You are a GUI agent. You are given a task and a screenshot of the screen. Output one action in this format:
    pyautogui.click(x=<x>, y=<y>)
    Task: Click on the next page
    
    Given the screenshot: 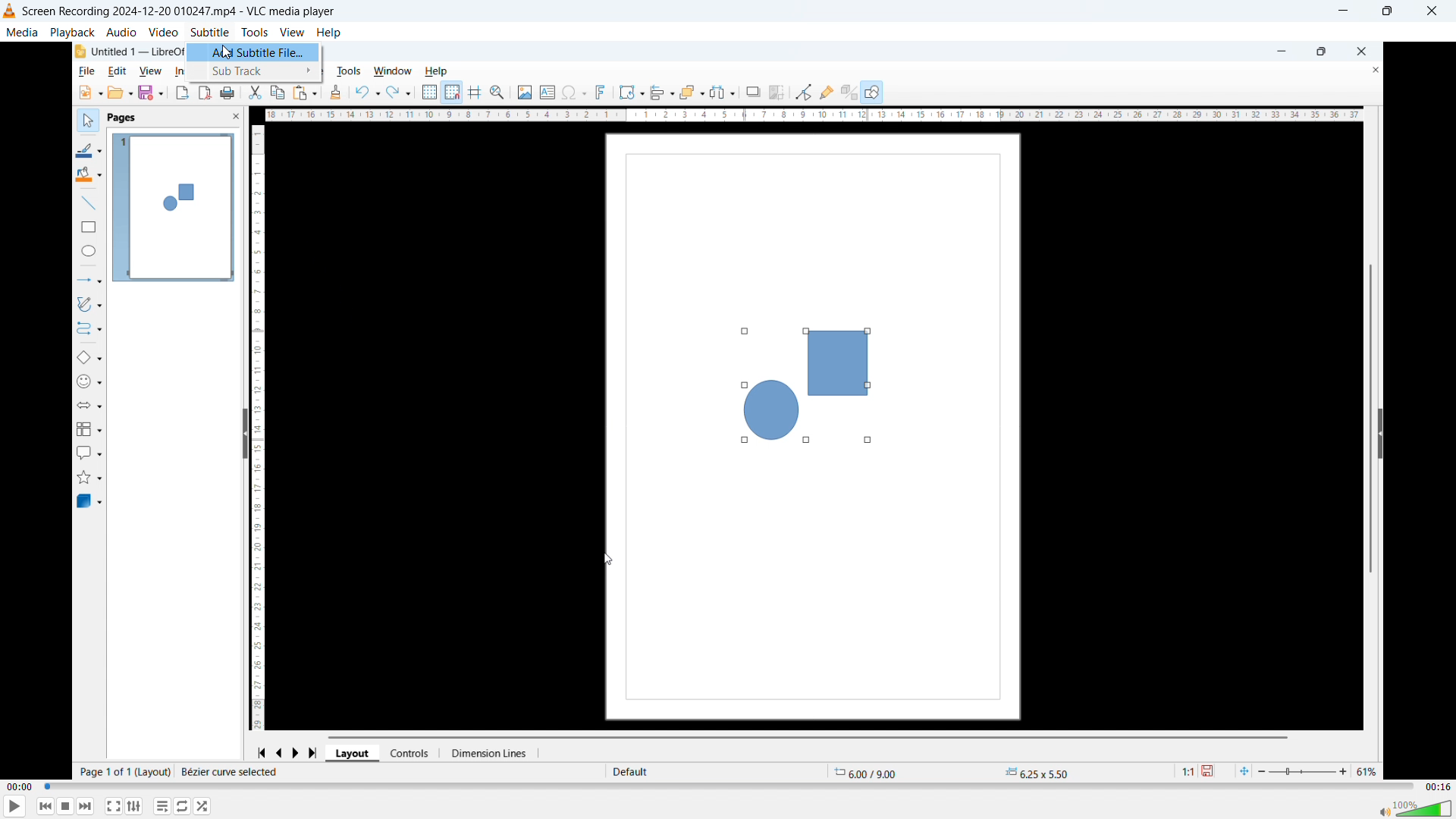 What is the action you would take?
    pyautogui.click(x=301, y=751)
    